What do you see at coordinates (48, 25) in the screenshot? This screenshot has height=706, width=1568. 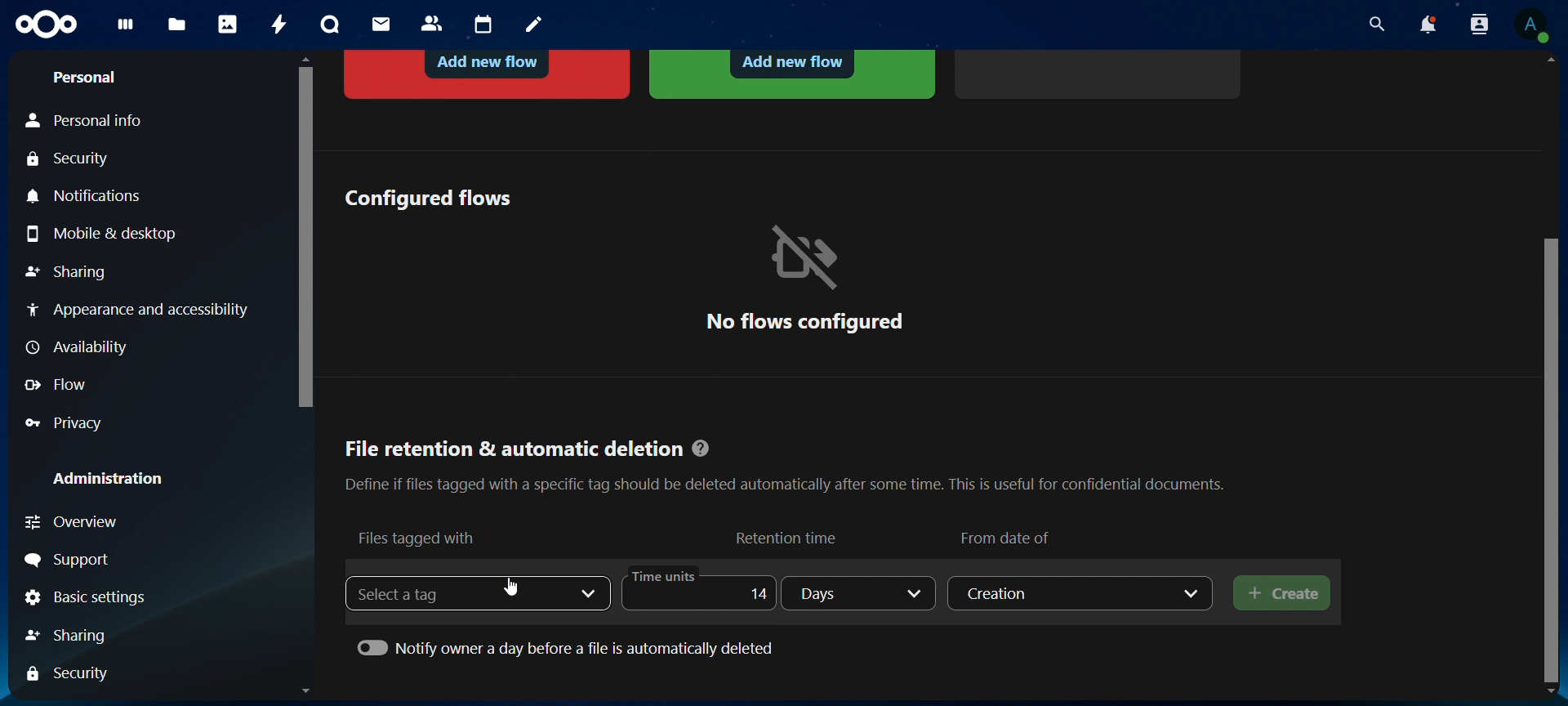 I see `icon` at bounding box center [48, 25].